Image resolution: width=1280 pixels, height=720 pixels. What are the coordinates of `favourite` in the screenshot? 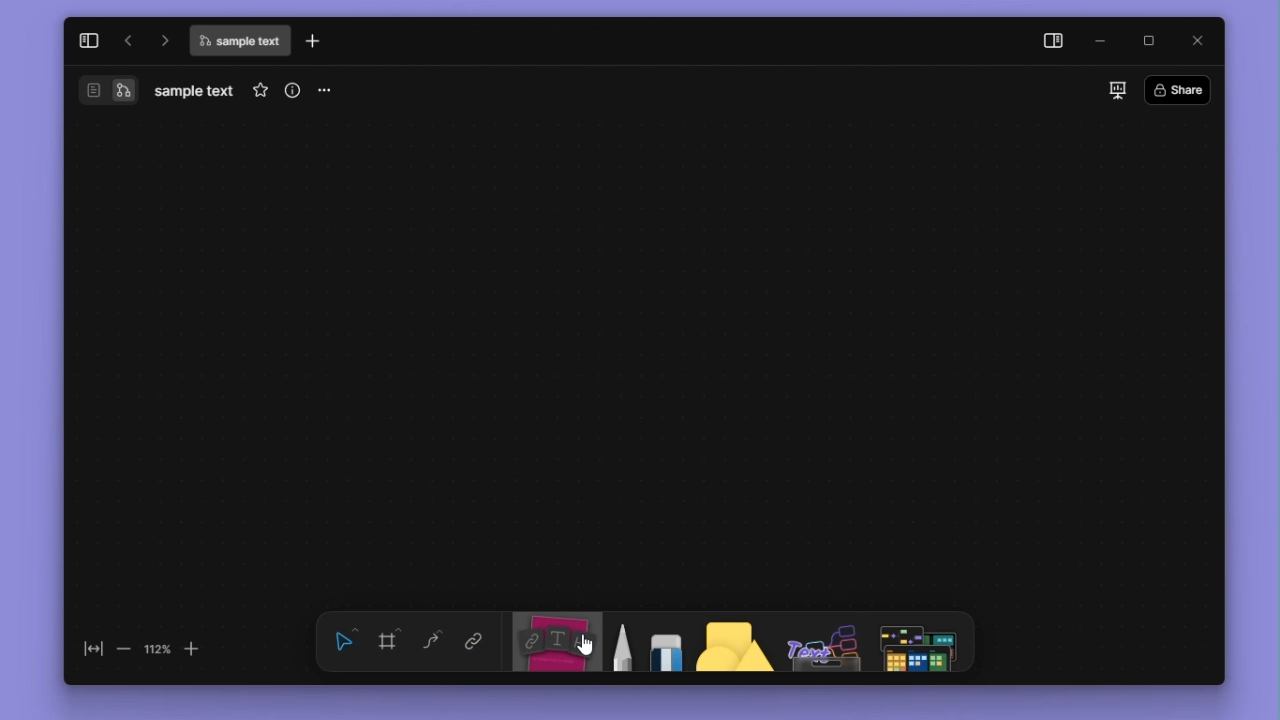 It's located at (260, 90).